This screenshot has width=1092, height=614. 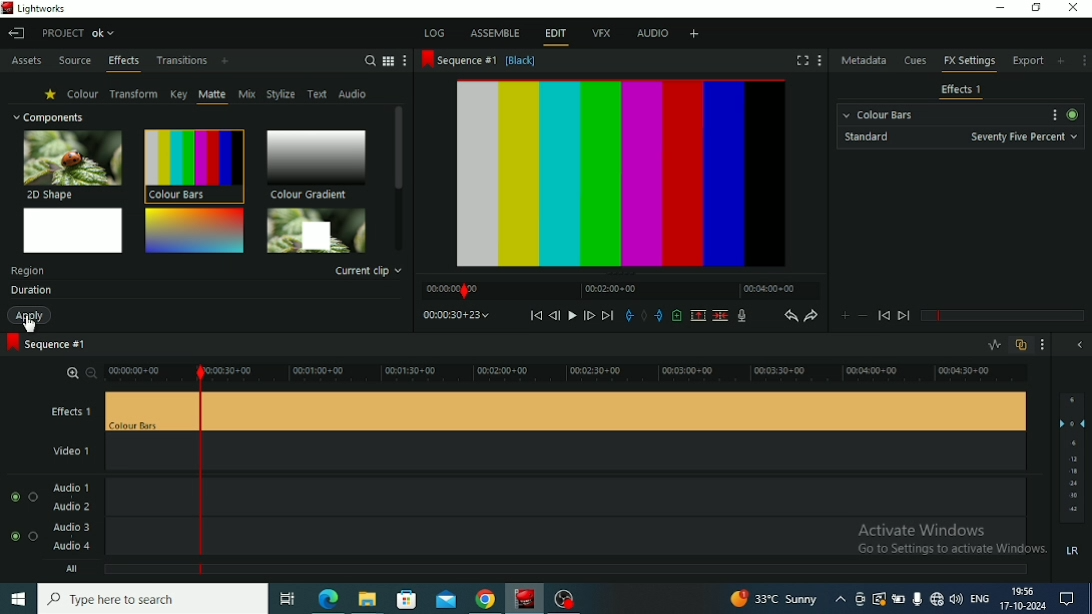 I want to click on effects 1, so click(x=101, y=412).